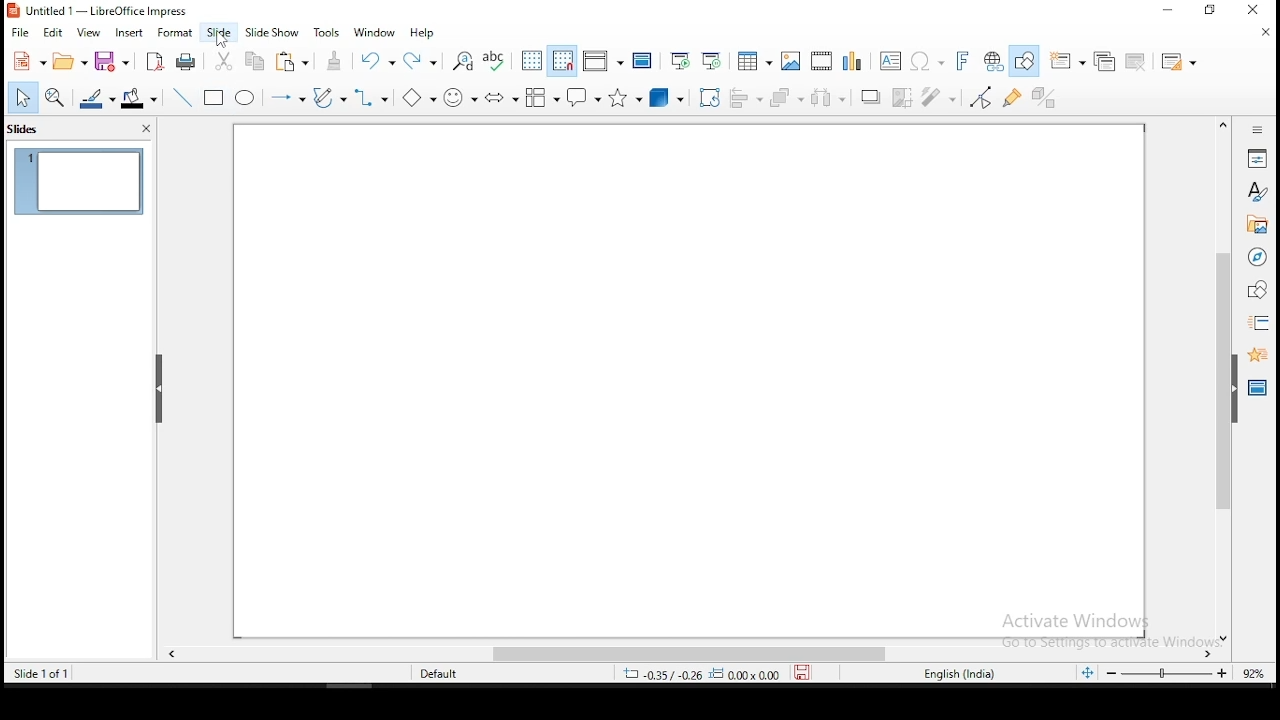  What do you see at coordinates (295, 62) in the screenshot?
I see `paste` at bounding box center [295, 62].